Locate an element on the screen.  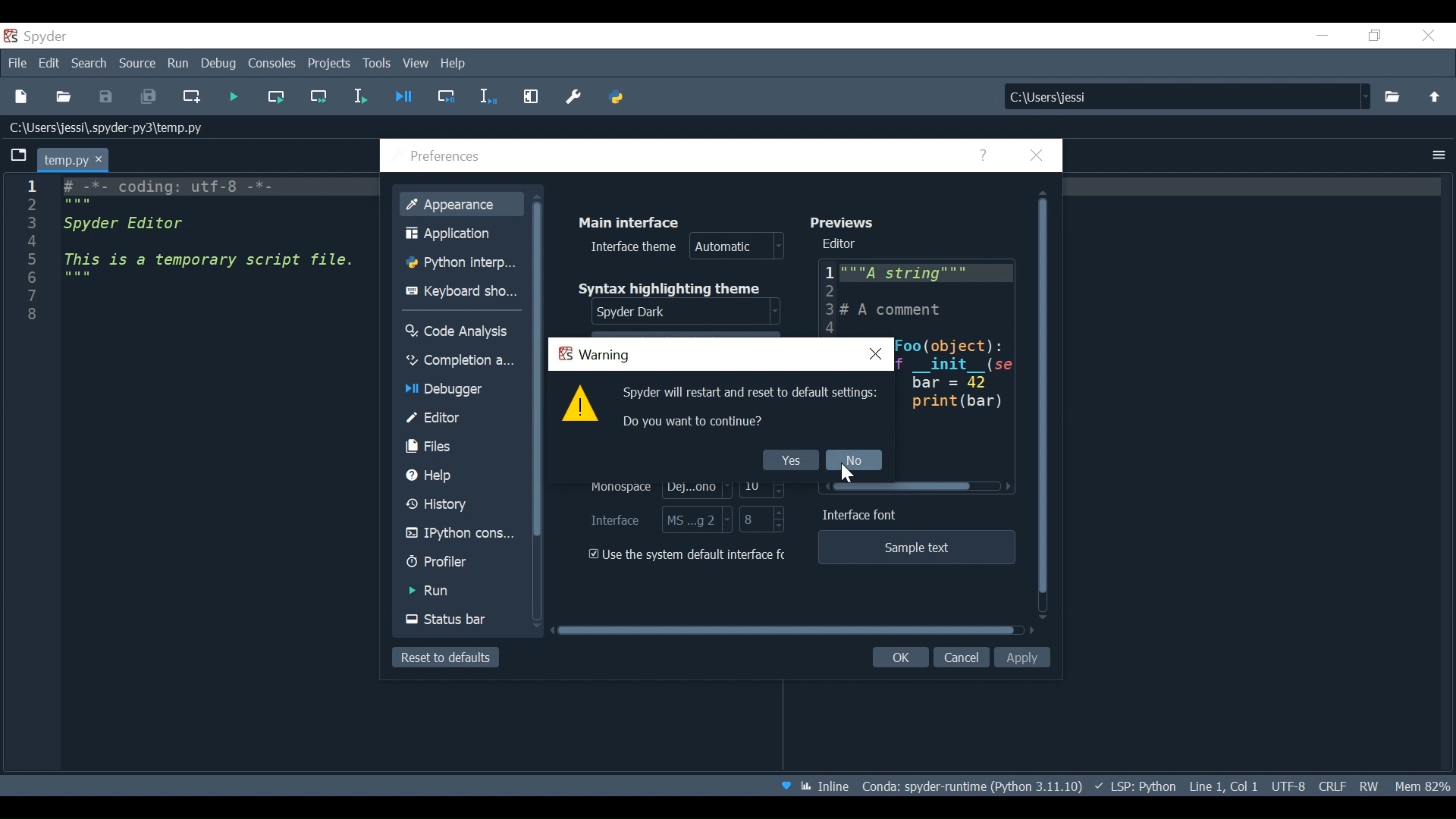
Horizontal Scroll bar is located at coordinates (905, 487).